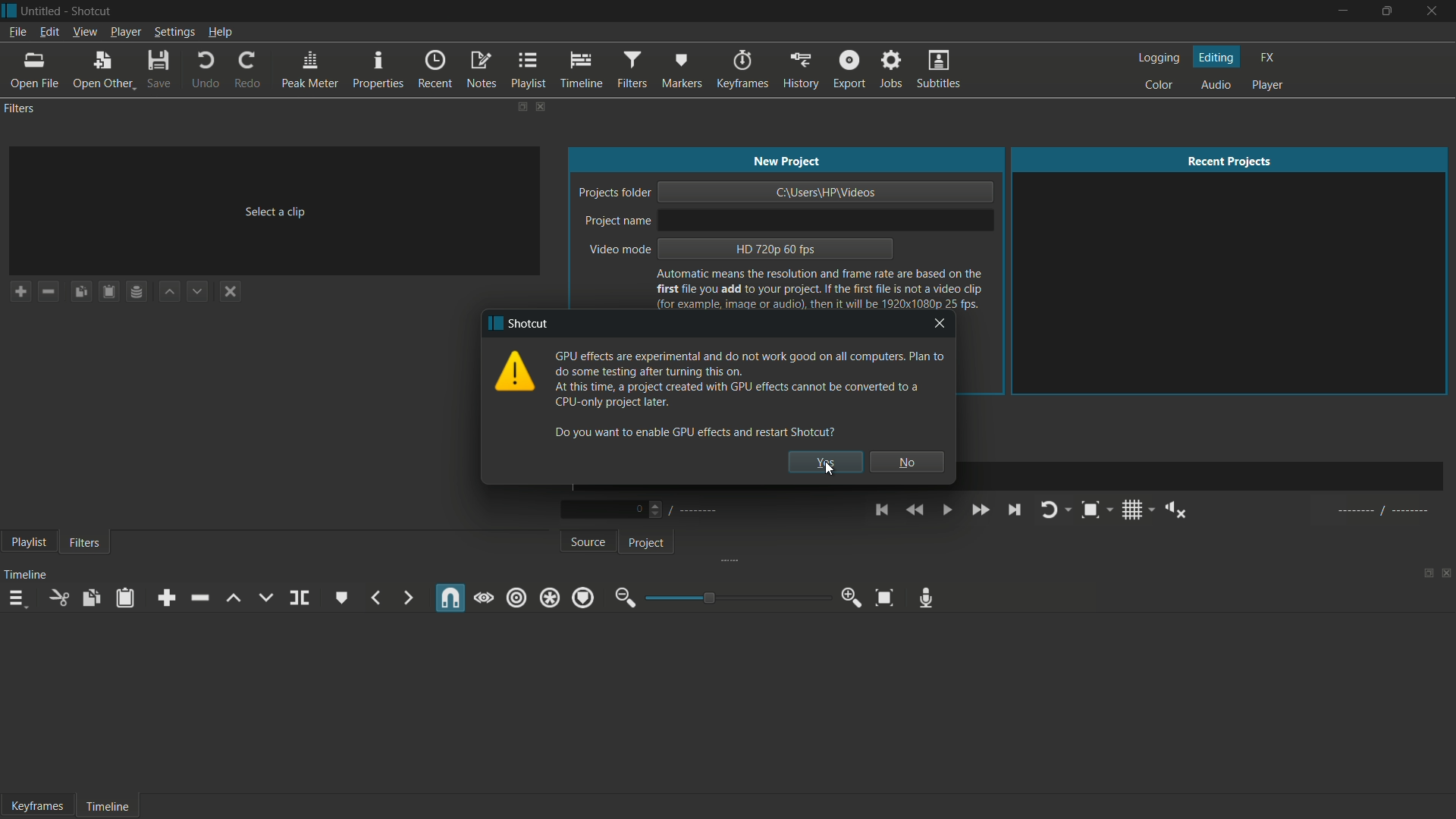 The height and width of the screenshot is (819, 1456). Describe the element at coordinates (1217, 57) in the screenshot. I see `editing` at that location.